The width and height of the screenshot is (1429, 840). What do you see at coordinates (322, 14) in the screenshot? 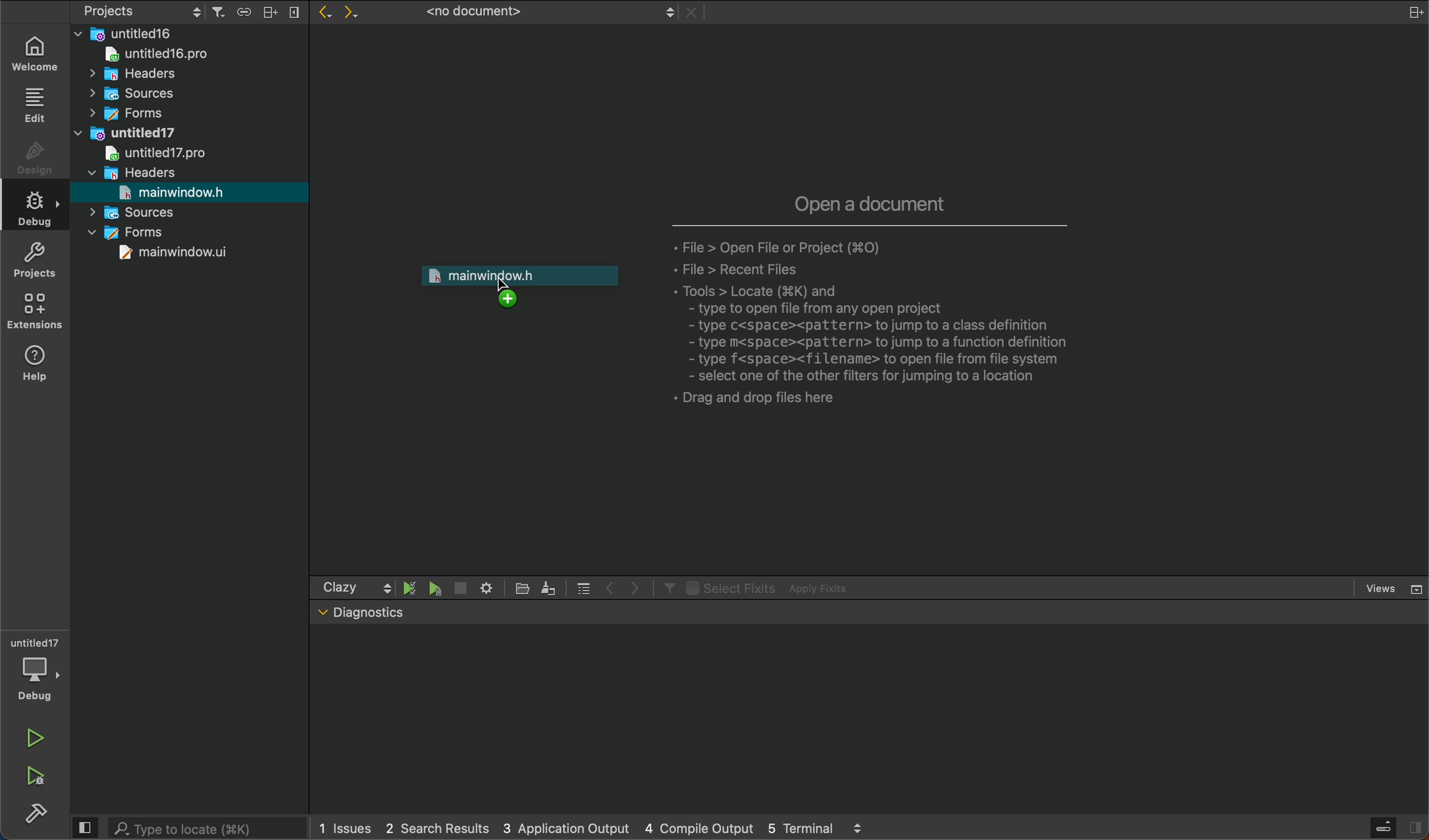
I see `Back` at bounding box center [322, 14].